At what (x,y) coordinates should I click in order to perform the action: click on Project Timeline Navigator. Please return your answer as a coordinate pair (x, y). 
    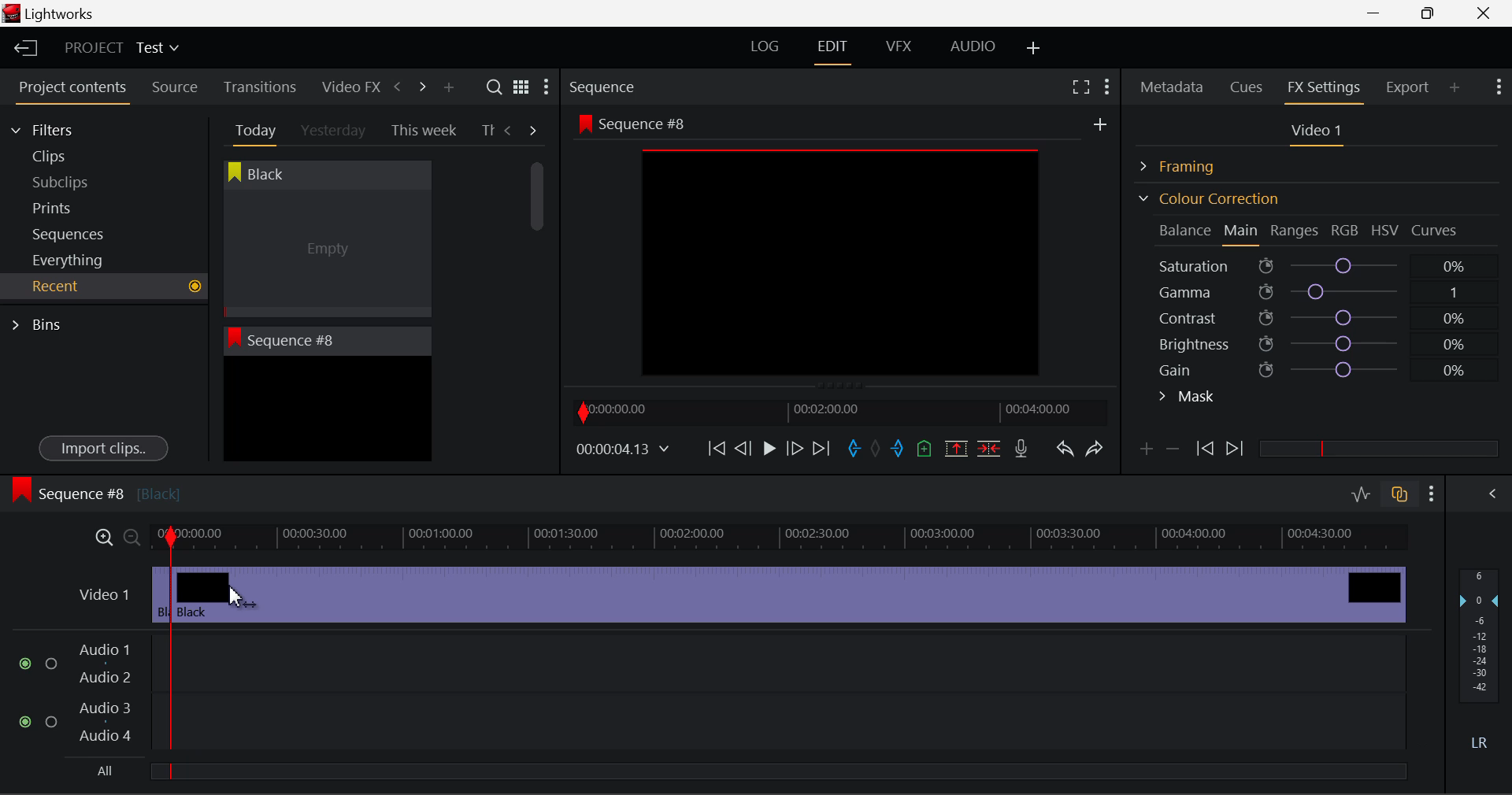
    Looking at the image, I should click on (838, 412).